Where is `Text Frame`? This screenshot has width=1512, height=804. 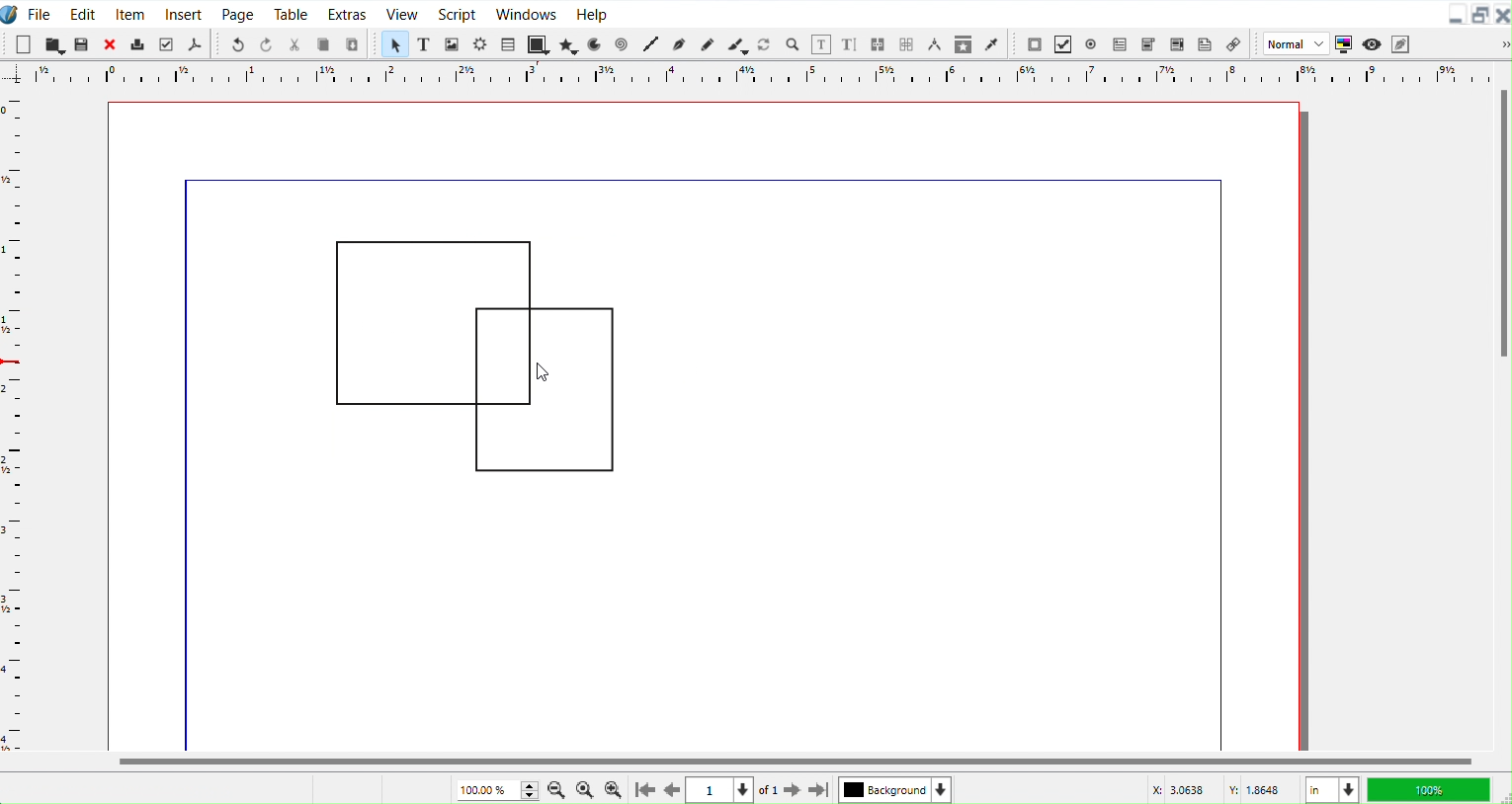
Text Frame is located at coordinates (425, 43).